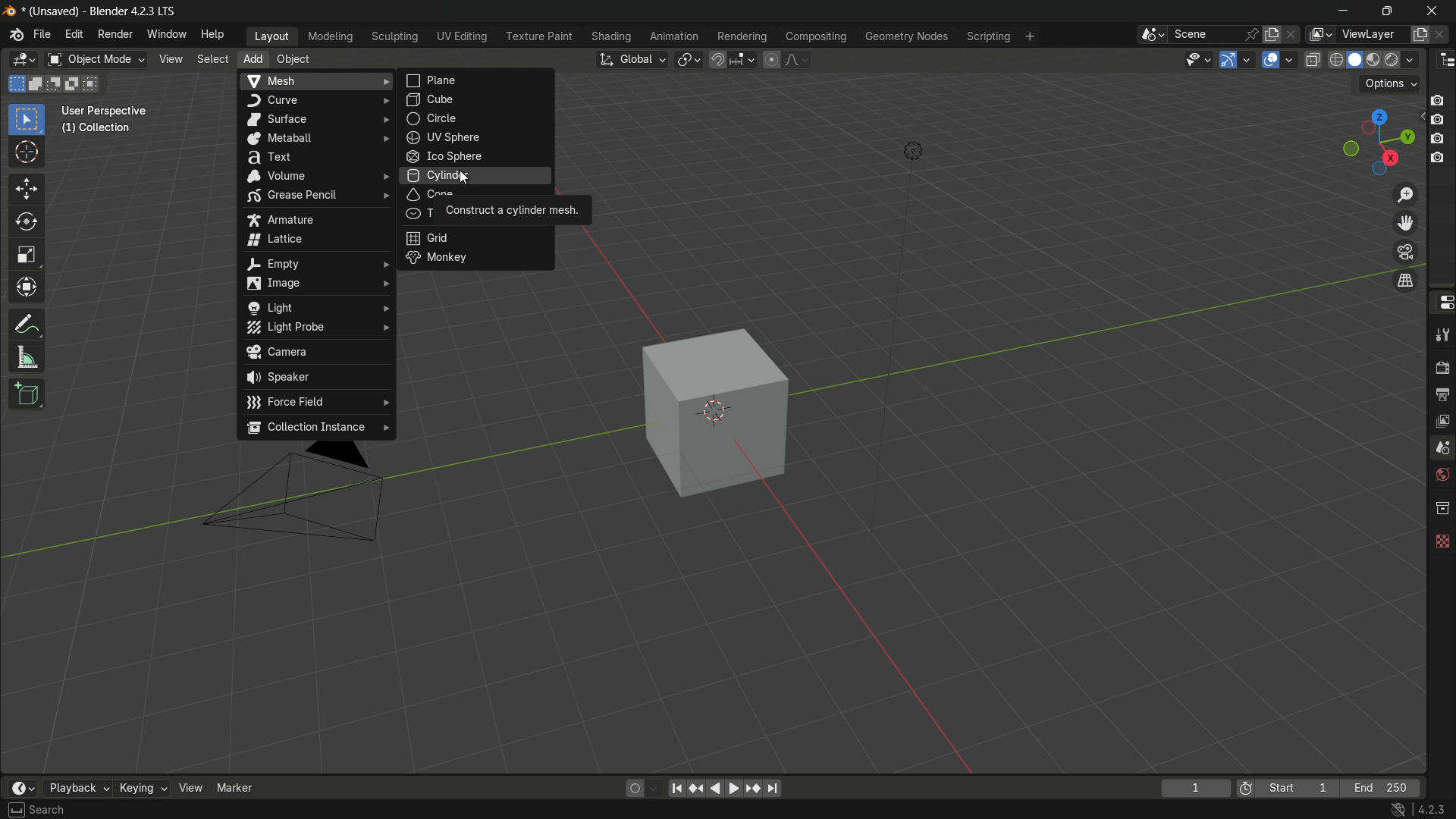  I want to click on proportional editing falloff, so click(796, 60).